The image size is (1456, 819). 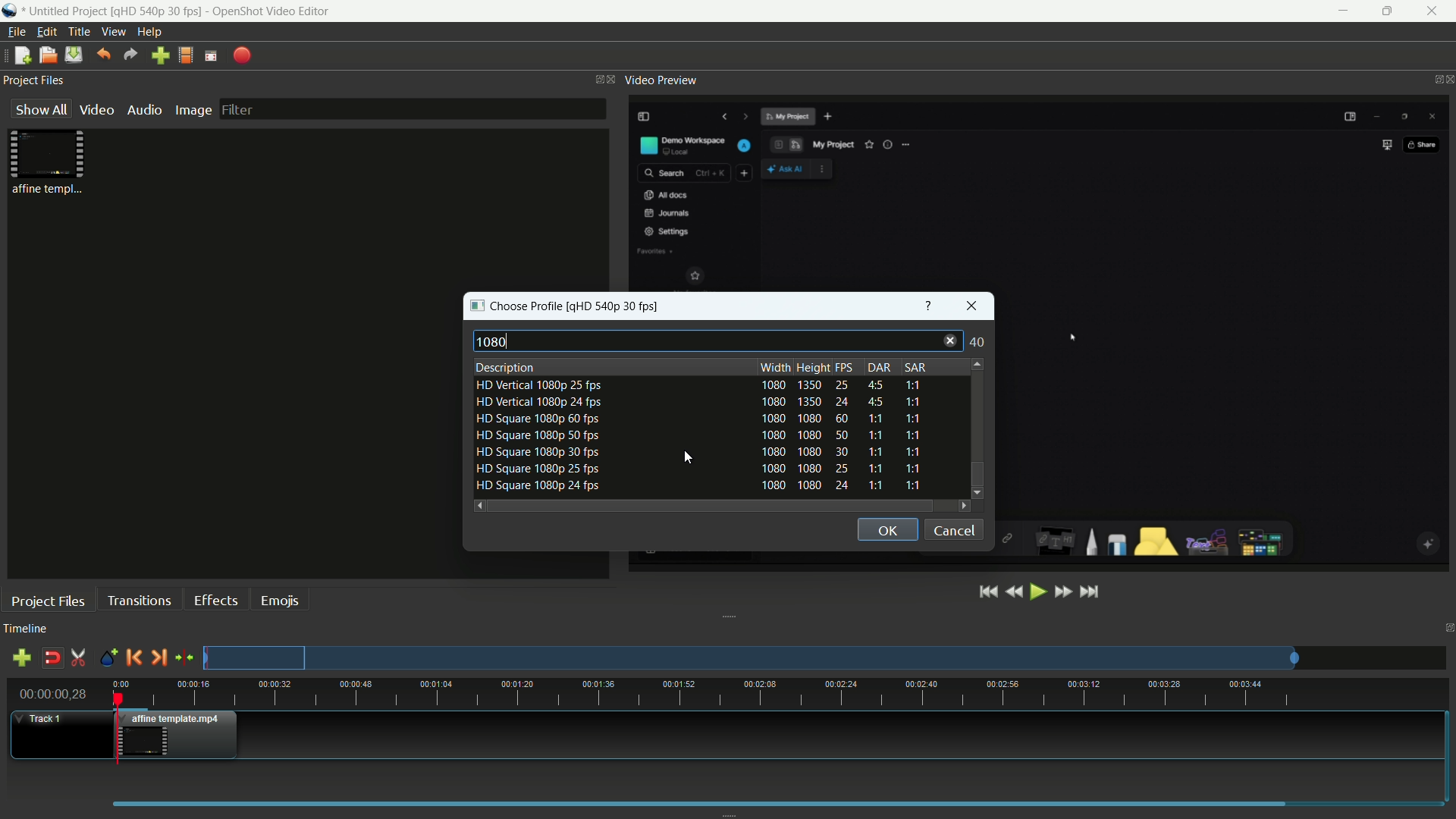 I want to click on filter profiles, so click(x=714, y=340).